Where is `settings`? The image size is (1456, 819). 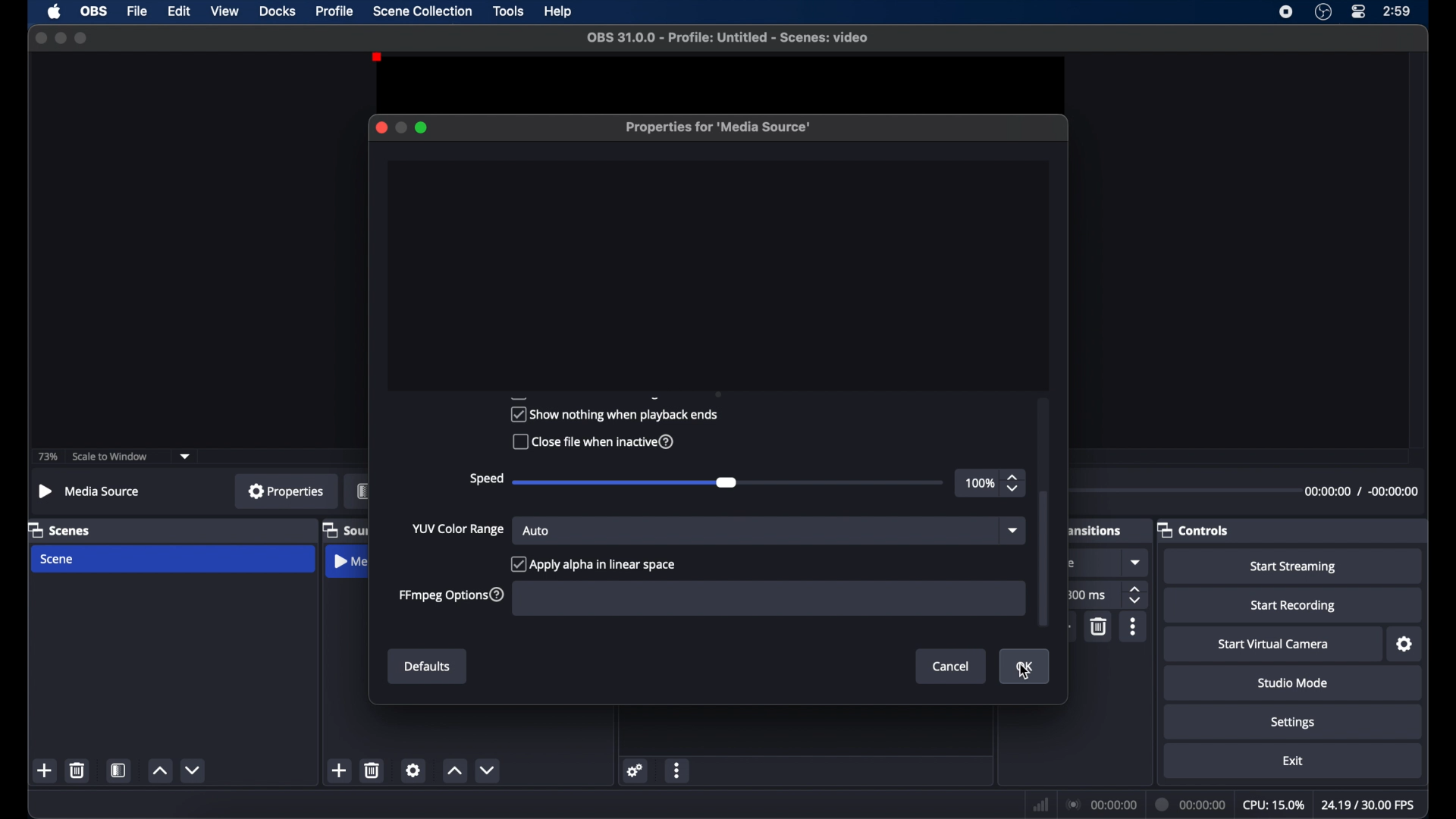 settings is located at coordinates (635, 771).